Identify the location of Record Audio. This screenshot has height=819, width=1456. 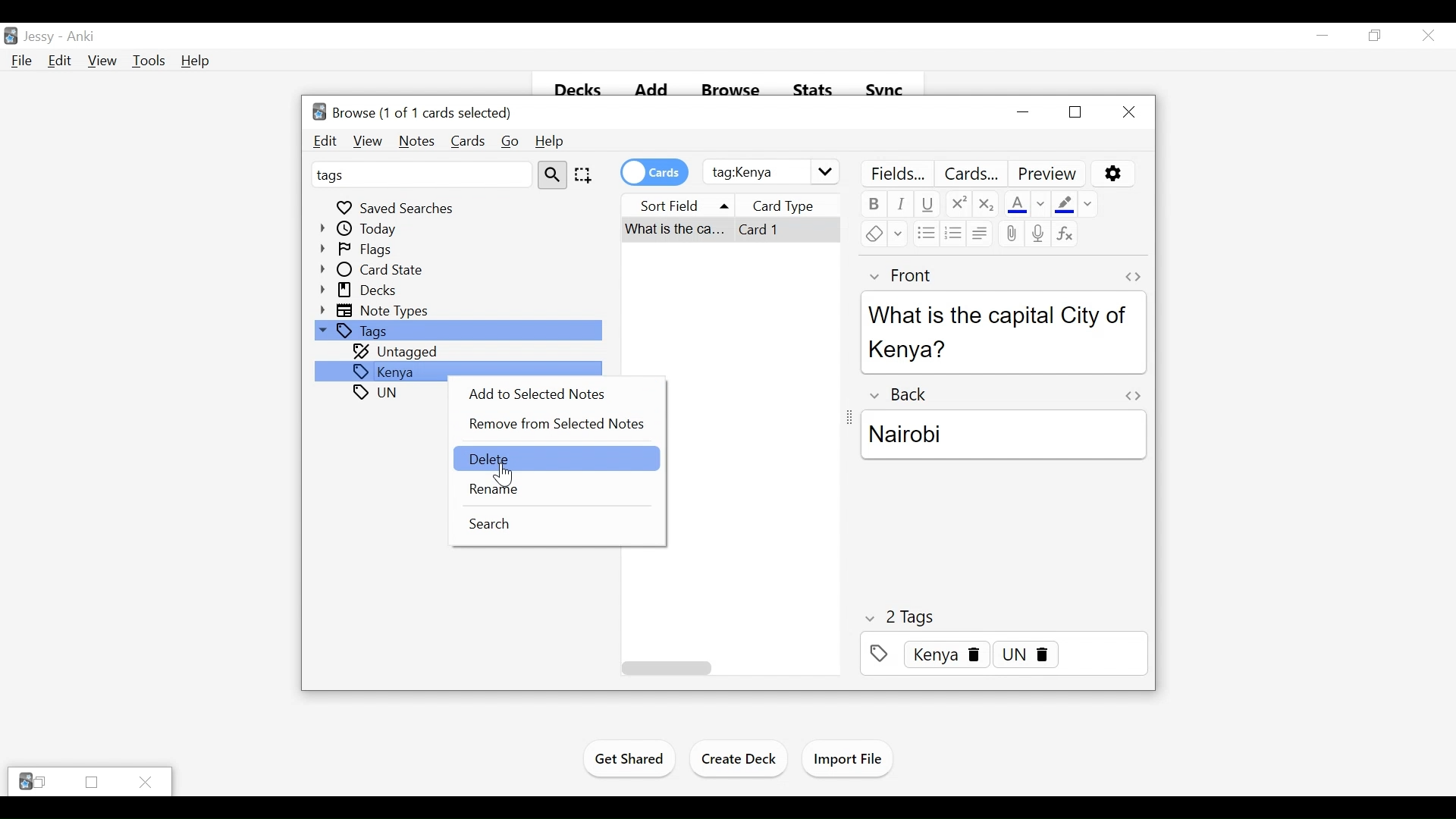
(1039, 234).